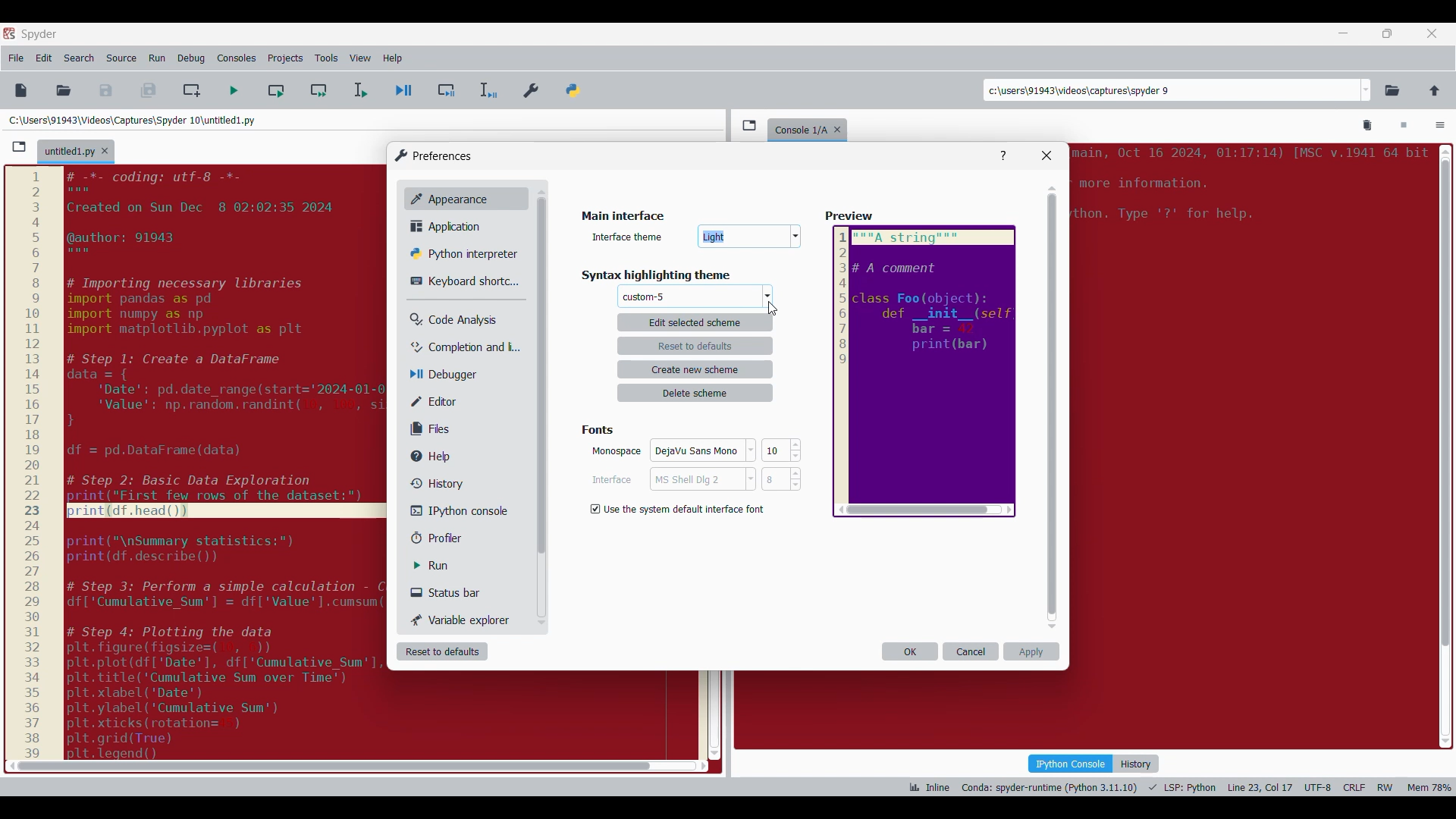  Describe the element at coordinates (1178, 787) in the screenshot. I see `Code details` at that location.